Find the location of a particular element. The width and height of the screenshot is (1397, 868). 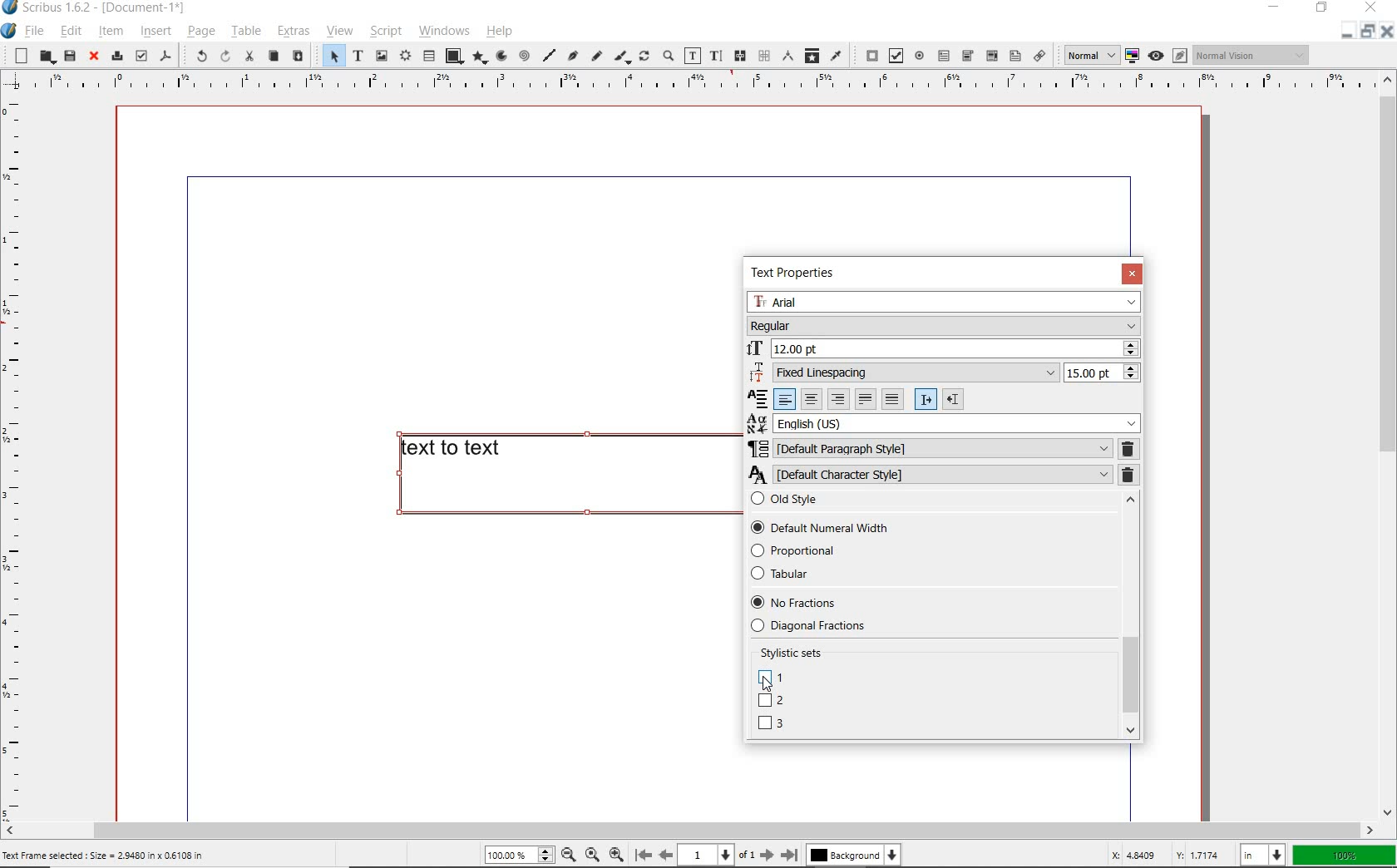

DEFAULT PARAGRAPH STYLE is located at coordinates (927, 449).